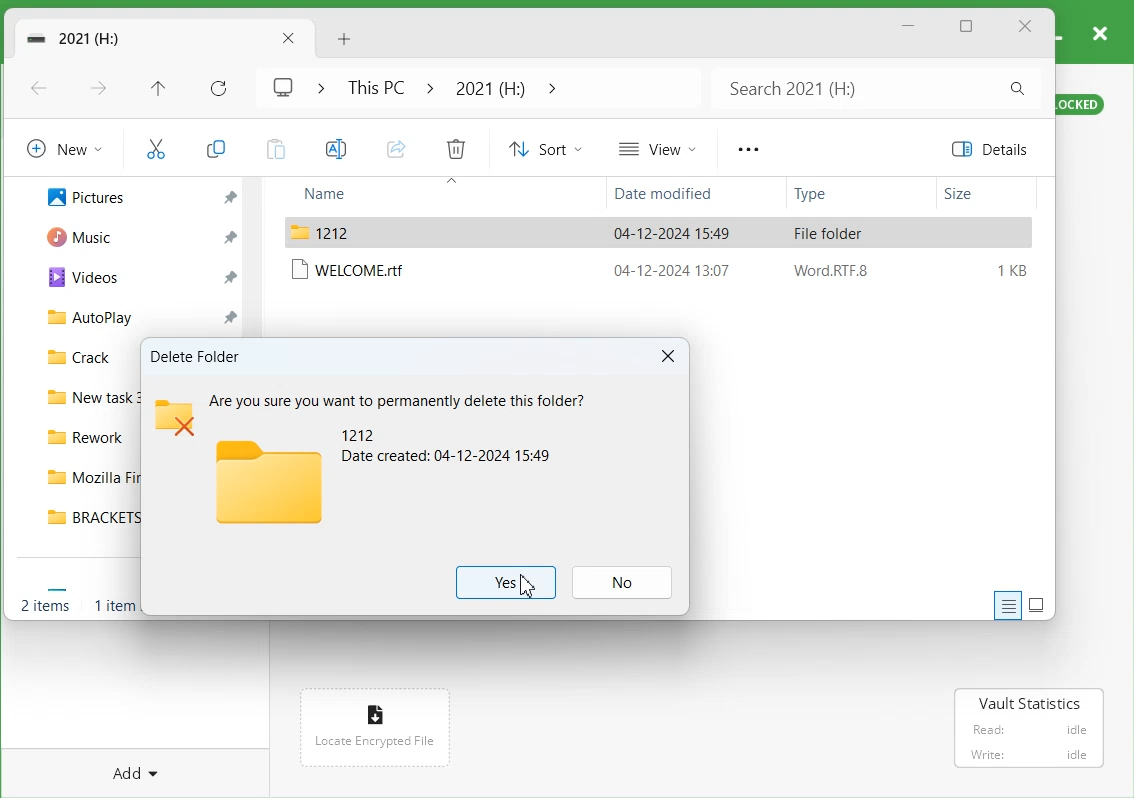  I want to click on More, so click(747, 149).